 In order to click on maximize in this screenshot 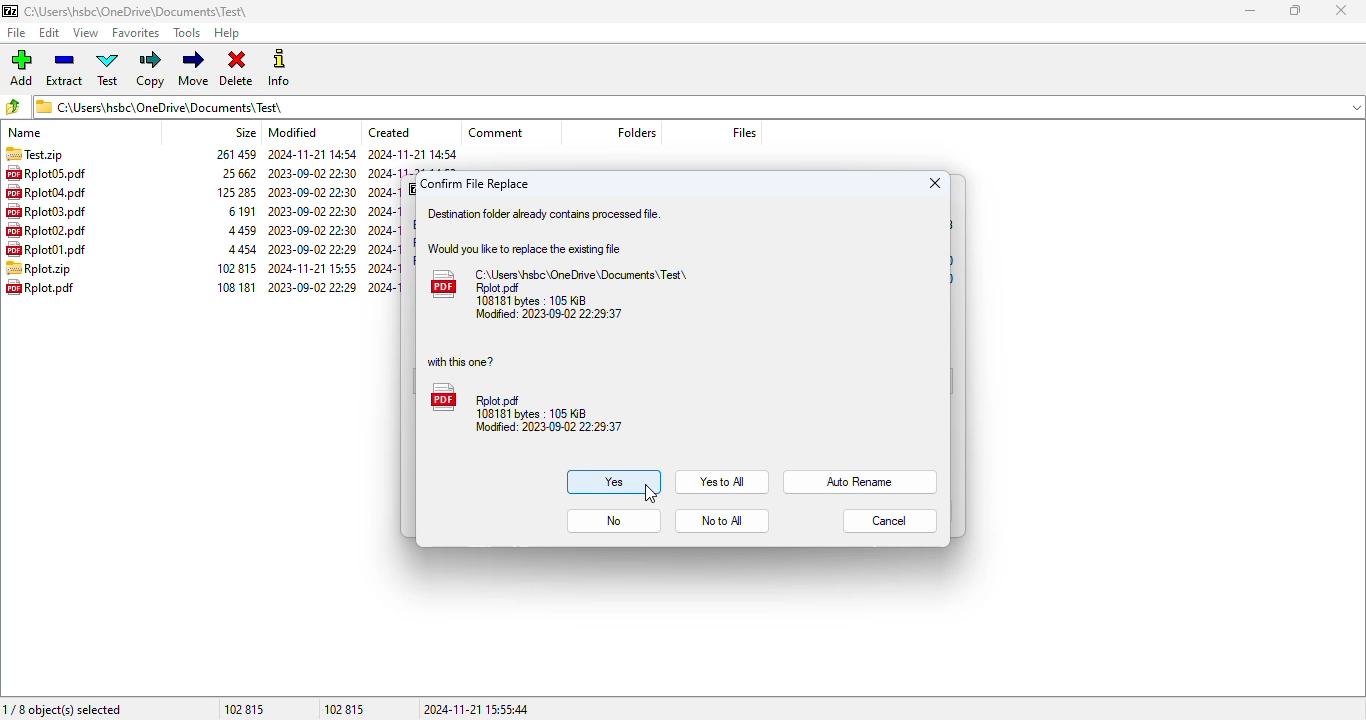, I will do `click(1294, 10)`.